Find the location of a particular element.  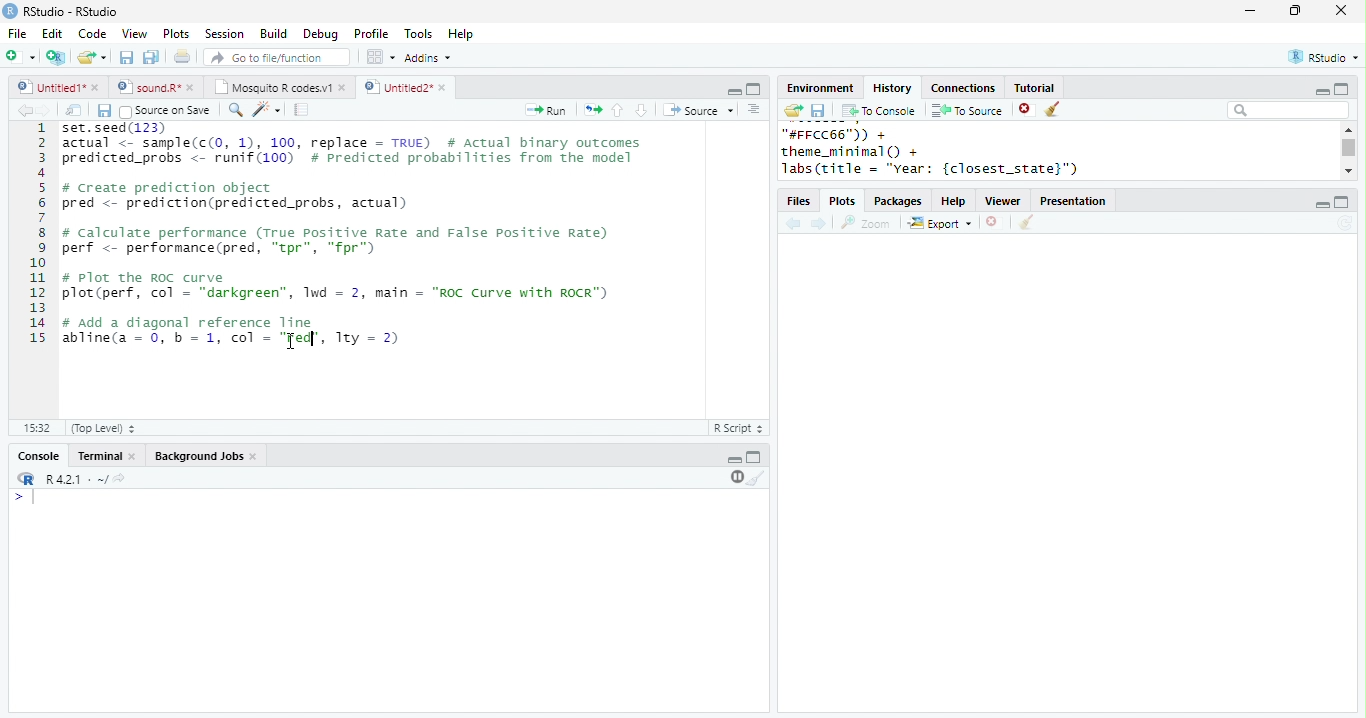

scroll down is located at coordinates (1348, 170).